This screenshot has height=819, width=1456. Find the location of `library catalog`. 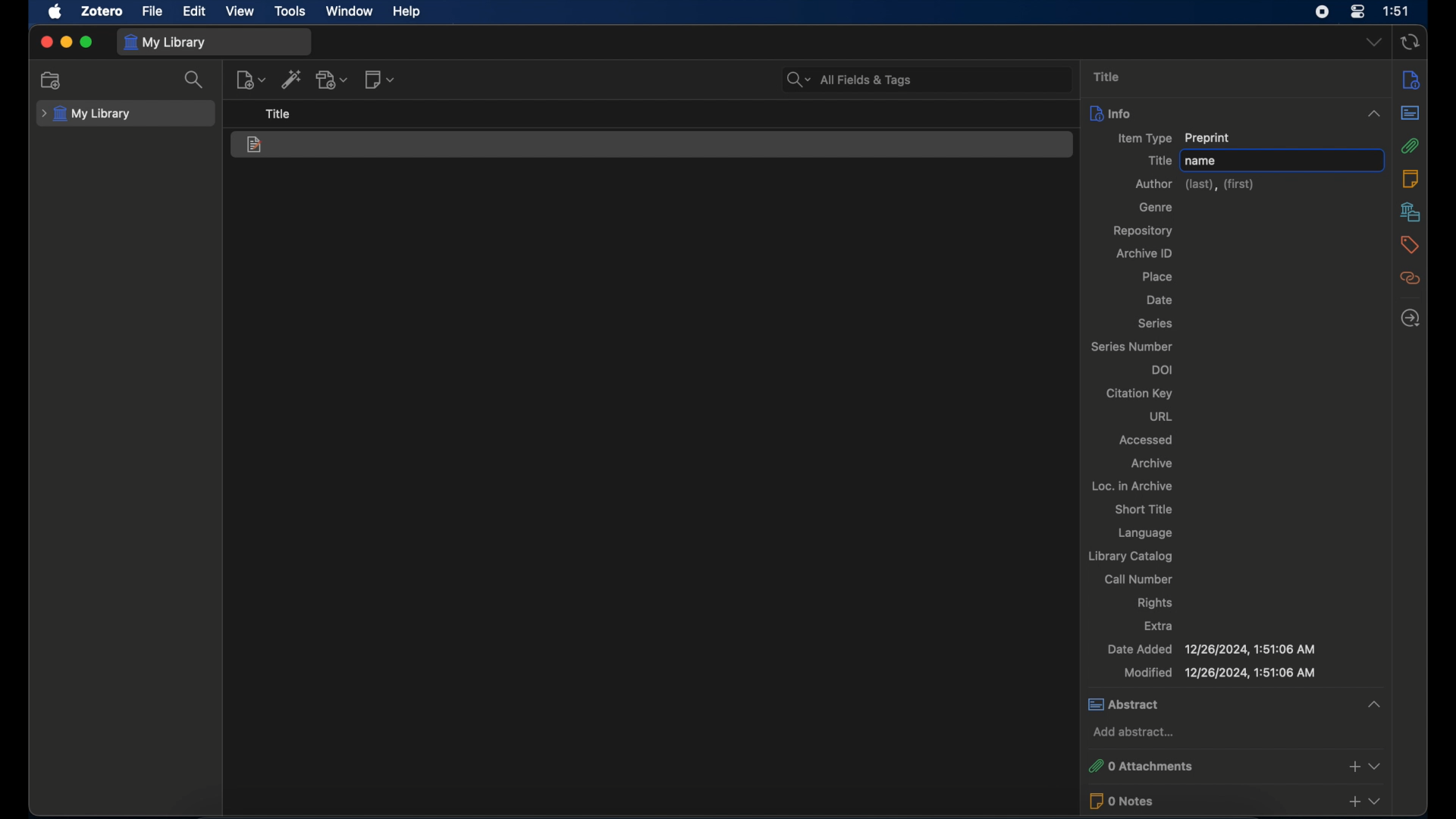

library catalog is located at coordinates (1129, 557).